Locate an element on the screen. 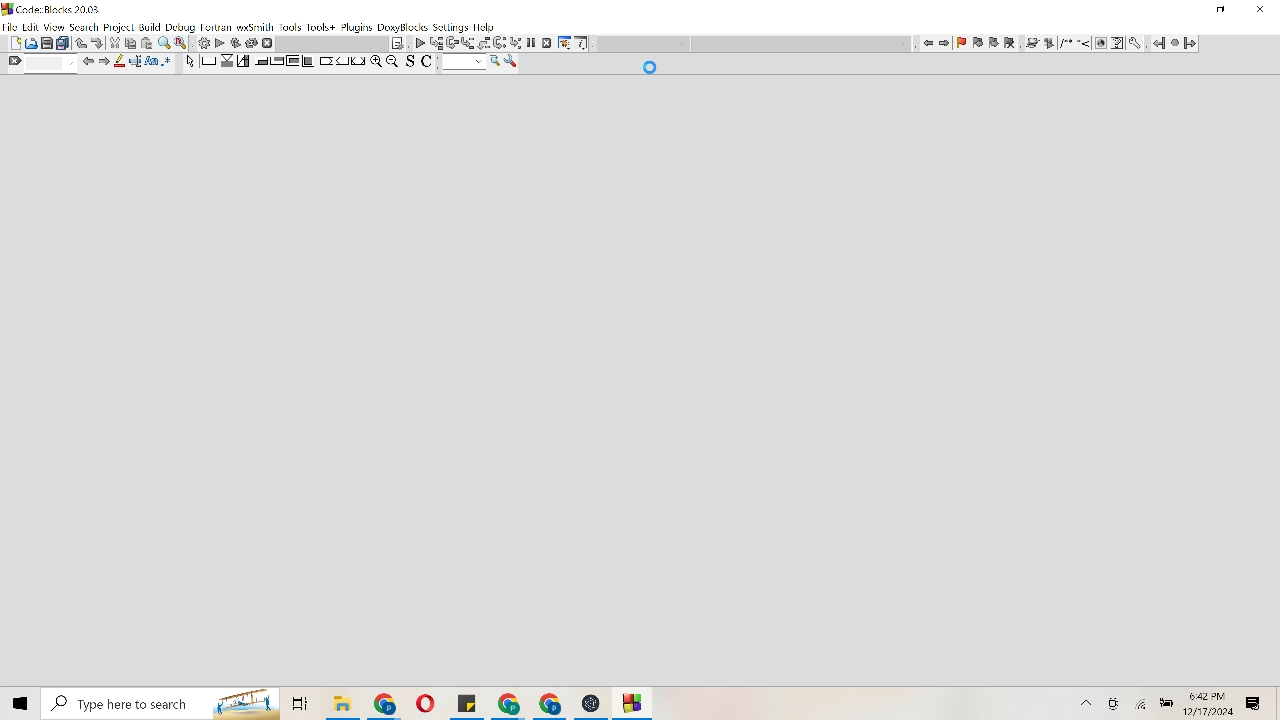 This screenshot has height=720, width=1280. Wifi is located at coordinates (1143, 703).